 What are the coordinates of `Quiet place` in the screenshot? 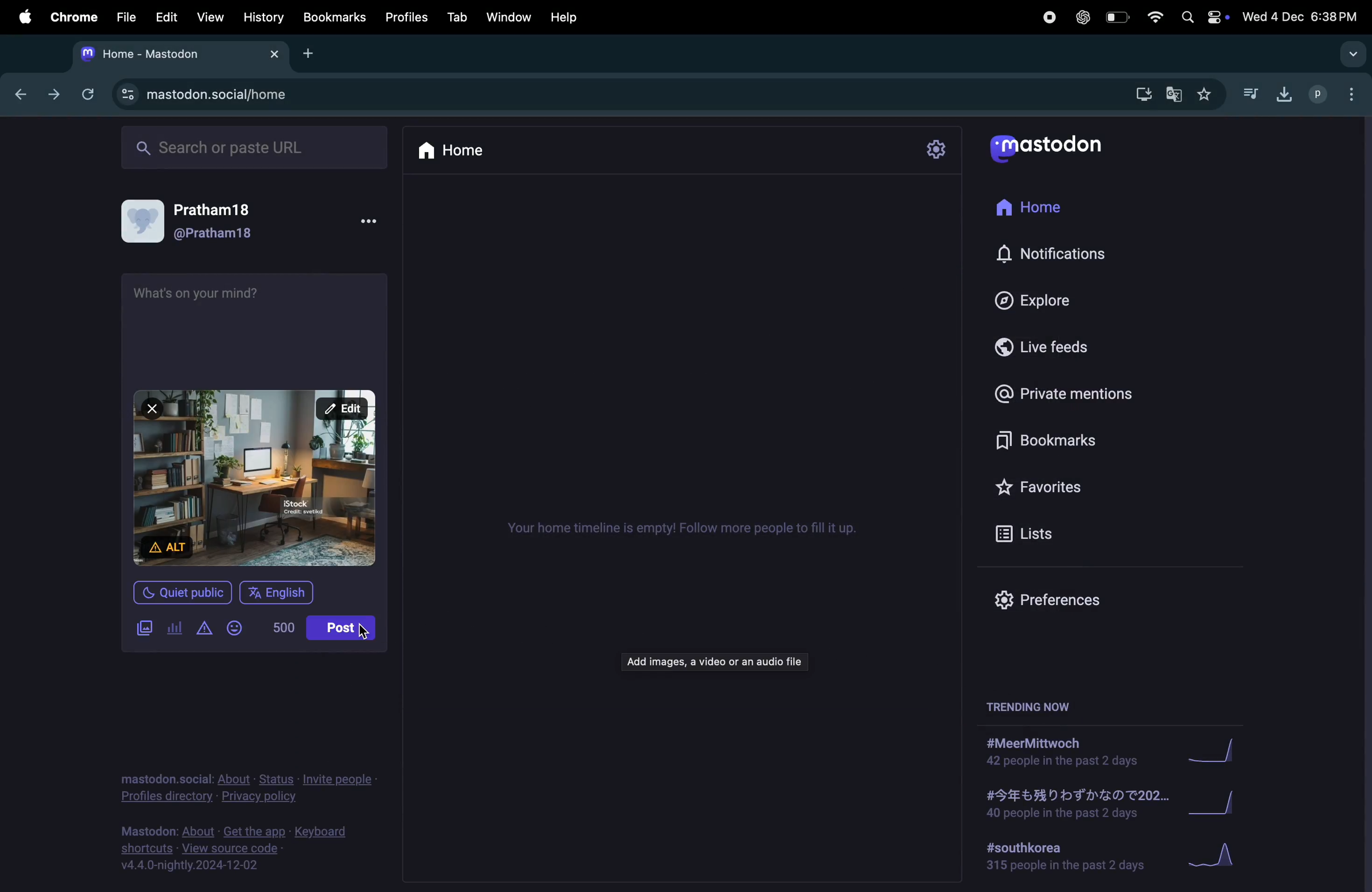 It's located at (186, 594).